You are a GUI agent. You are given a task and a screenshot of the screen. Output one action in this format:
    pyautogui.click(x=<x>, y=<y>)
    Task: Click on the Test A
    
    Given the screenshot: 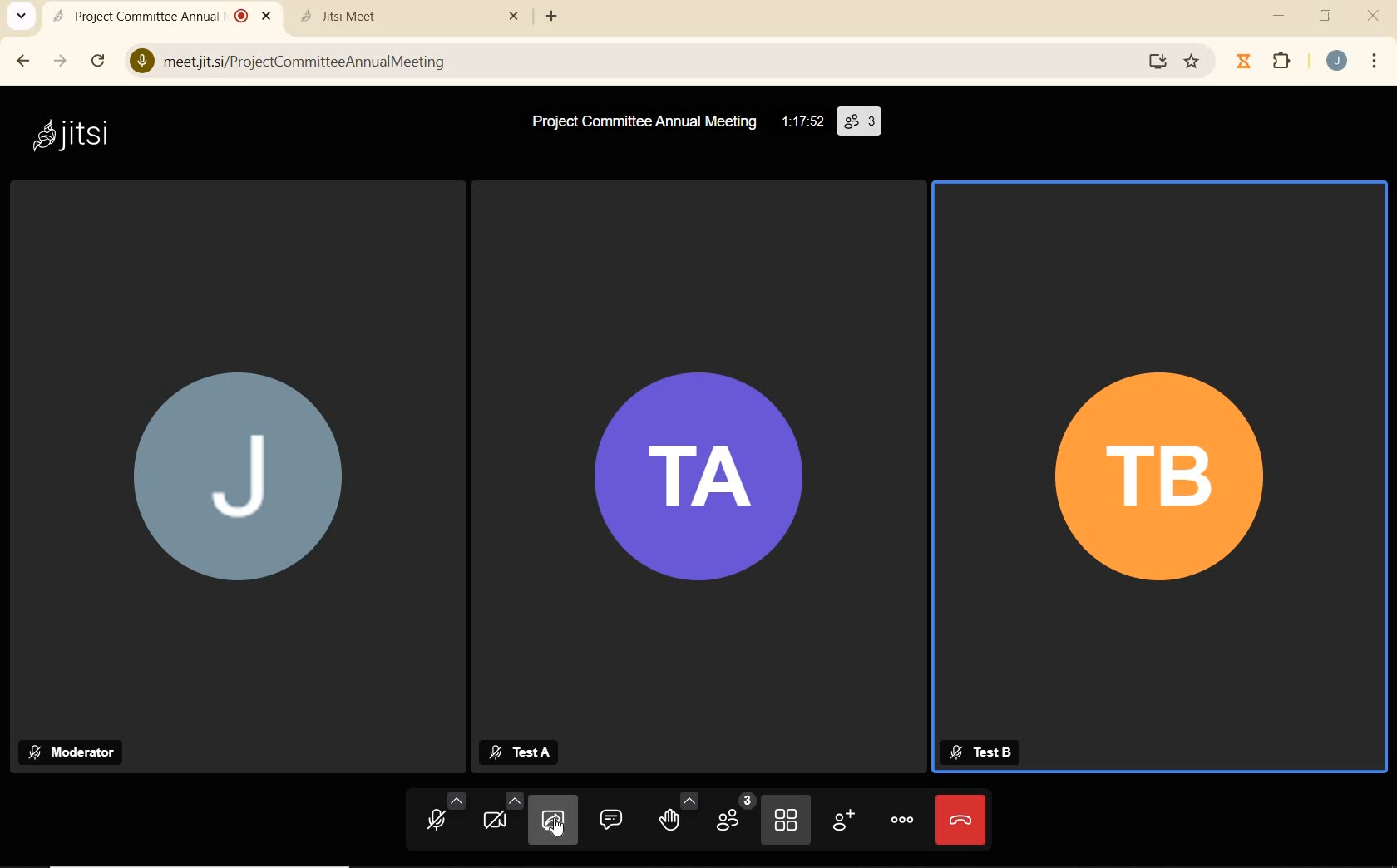 What is the action you would take?
    pyautogui.click(x=527, y=752)
    